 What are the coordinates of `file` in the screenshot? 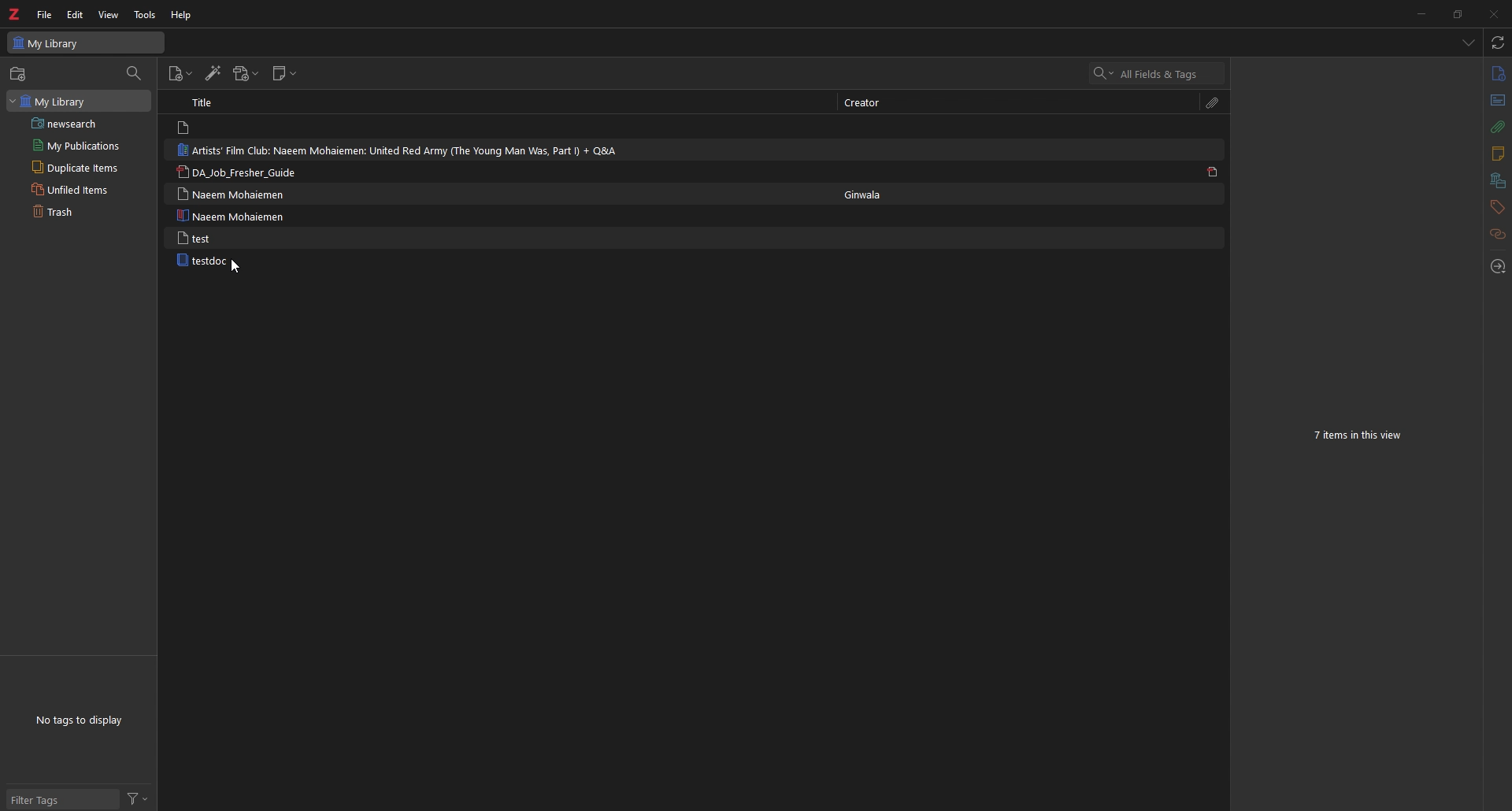 It's located at (44, 15).